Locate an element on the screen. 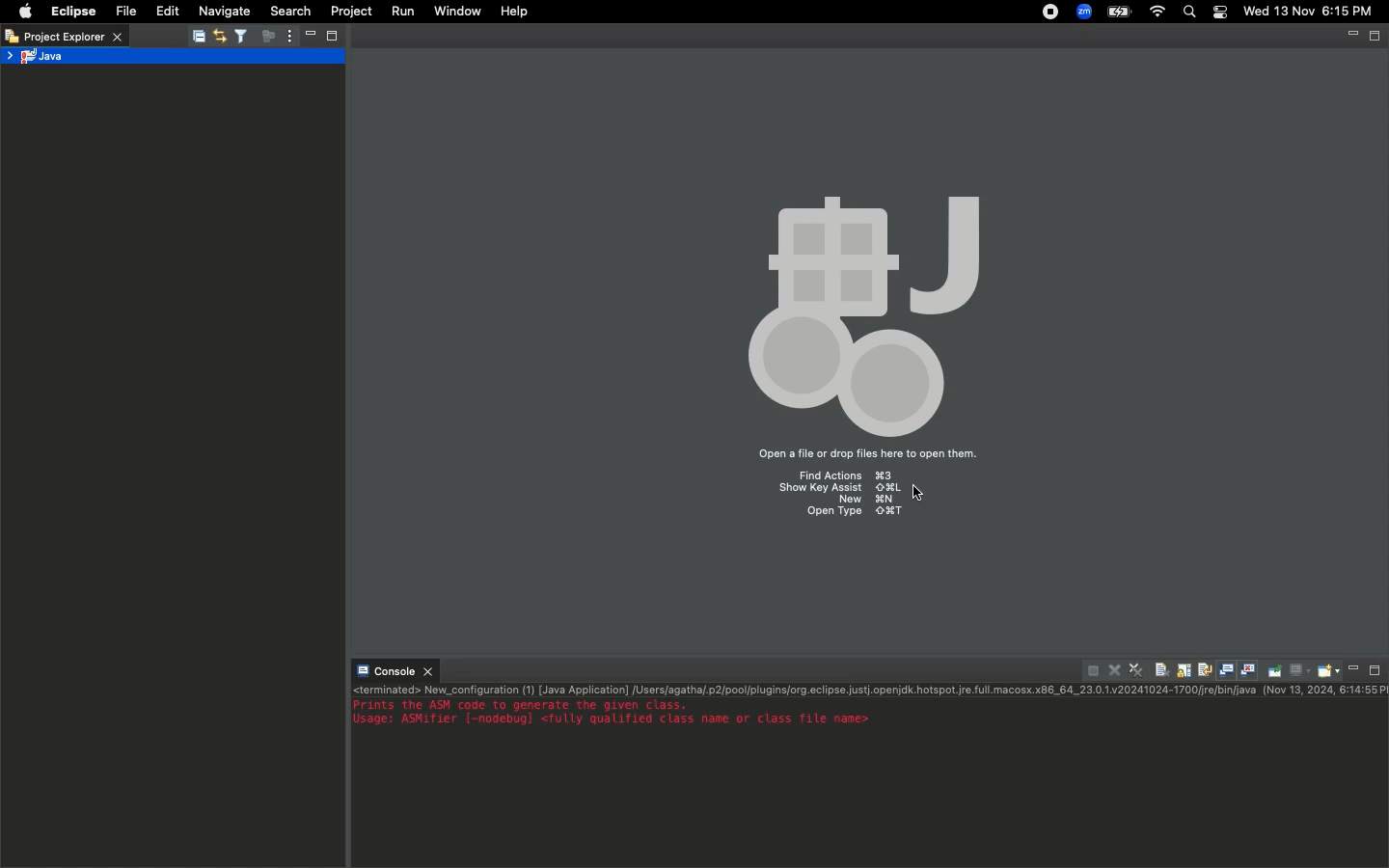  File is located at coordinates (123, 13).